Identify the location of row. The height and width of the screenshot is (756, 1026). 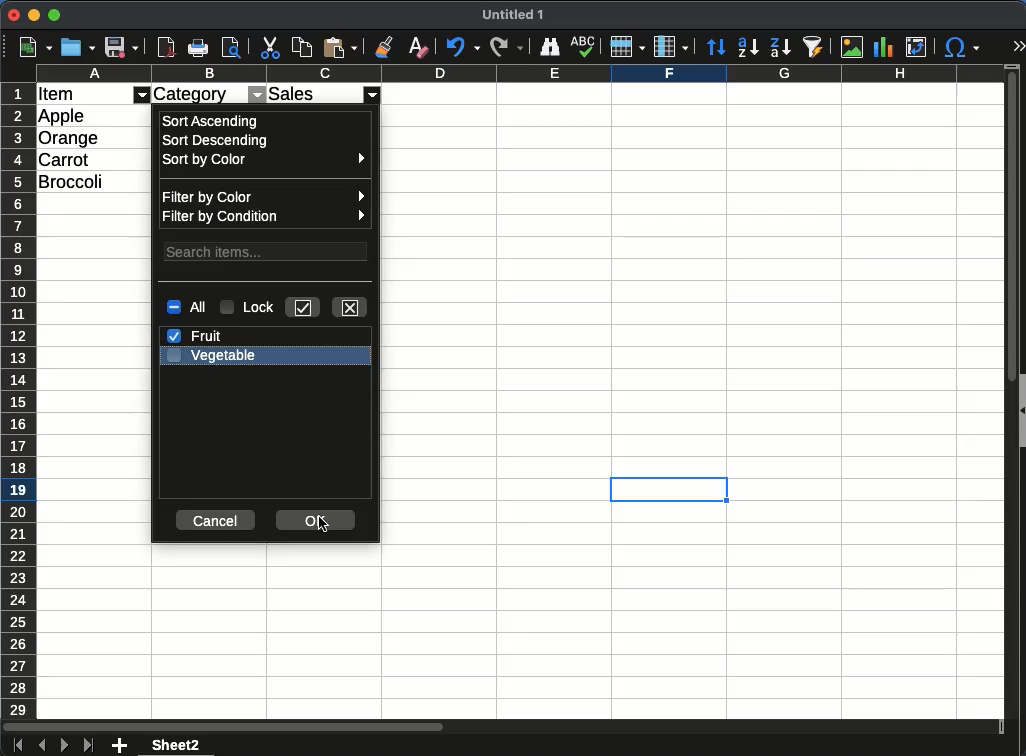
(625, 49).